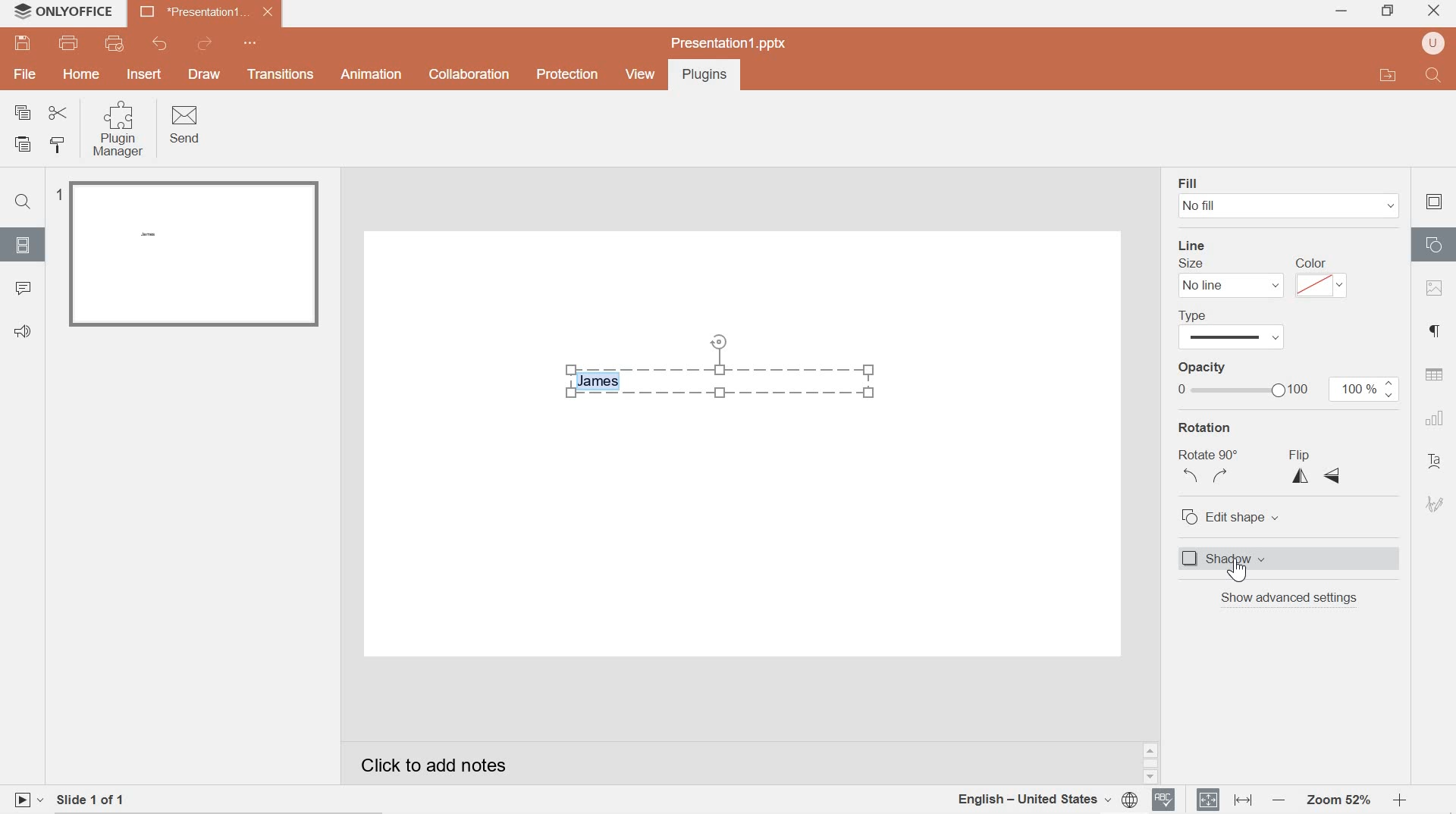 This screenshot has width=1456, height=814. I want to click on open file application, so click(1386, 75).